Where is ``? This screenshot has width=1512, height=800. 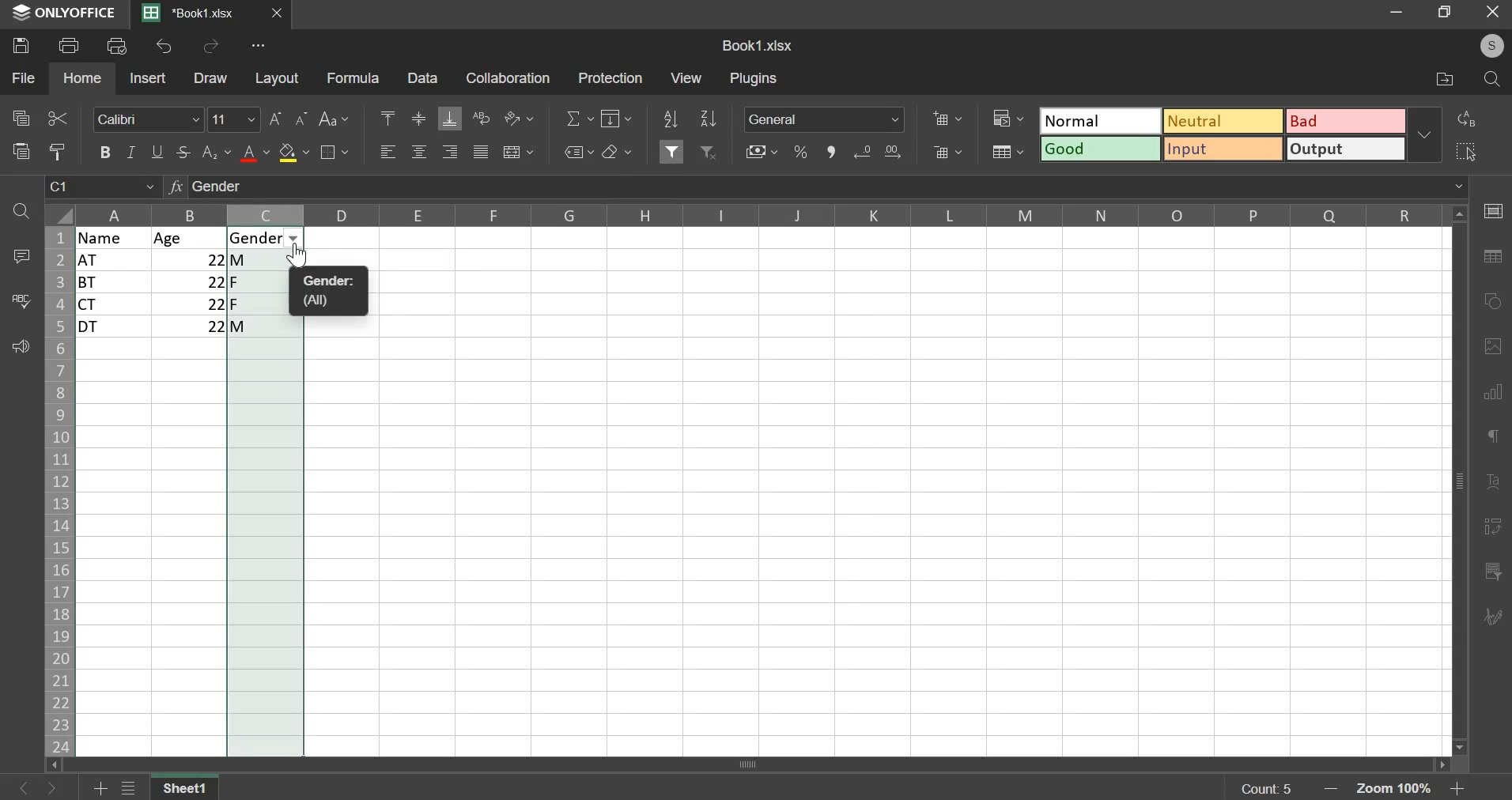
 is located at coordinates (80, 78).